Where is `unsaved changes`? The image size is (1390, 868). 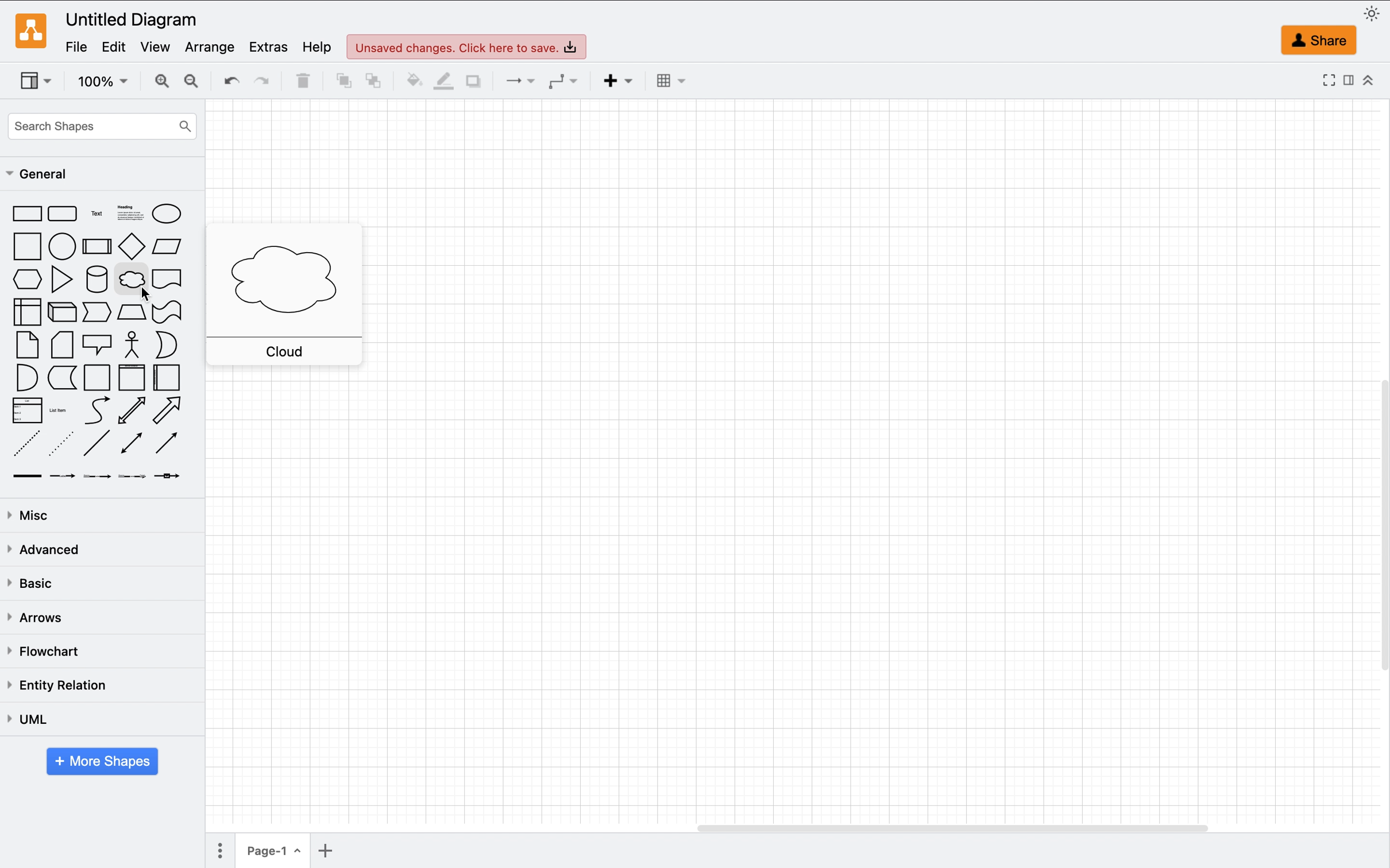 unsaved changes is located at coordinates (470, 47).